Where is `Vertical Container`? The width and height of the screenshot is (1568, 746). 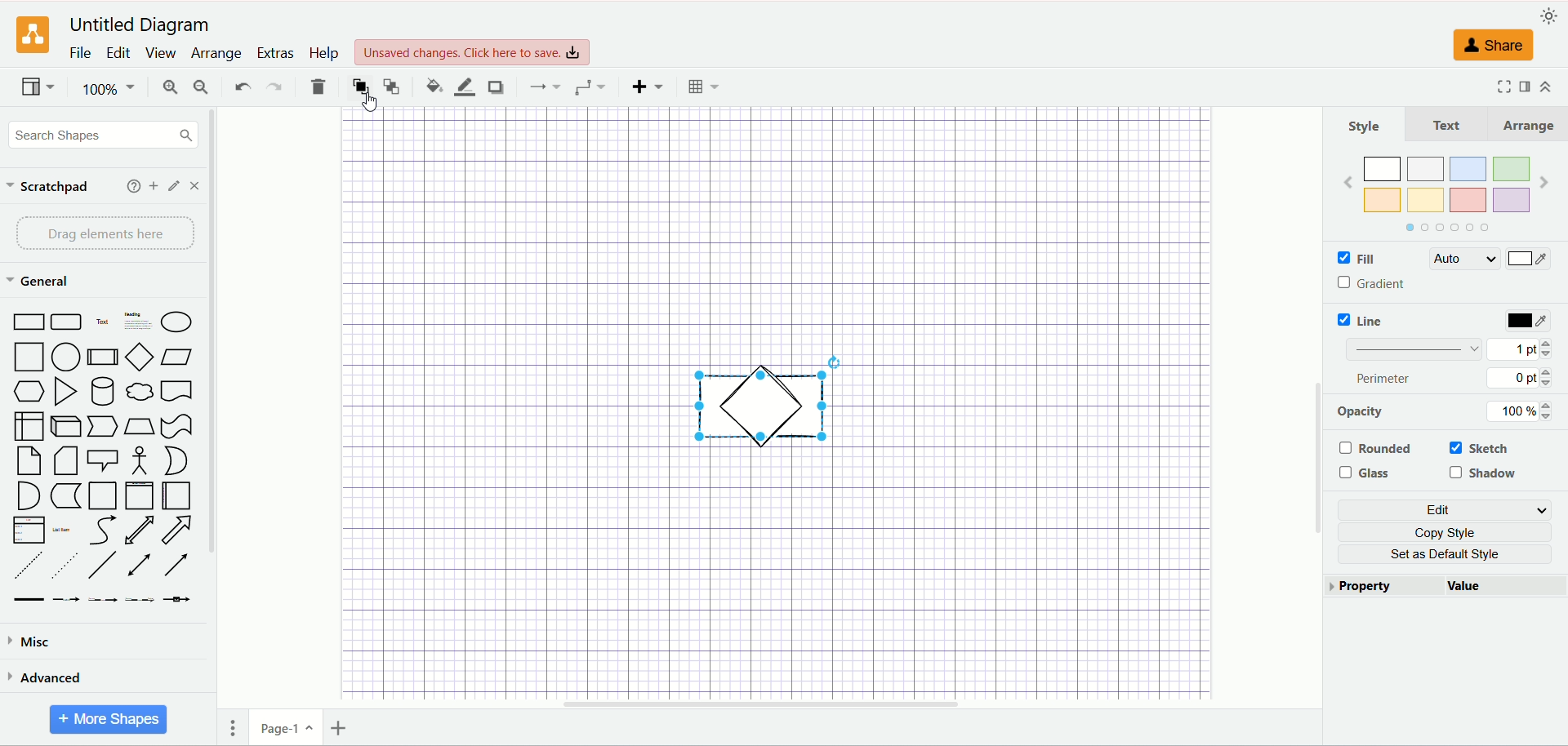
Vertical Container is located at coordinates (143, 495).